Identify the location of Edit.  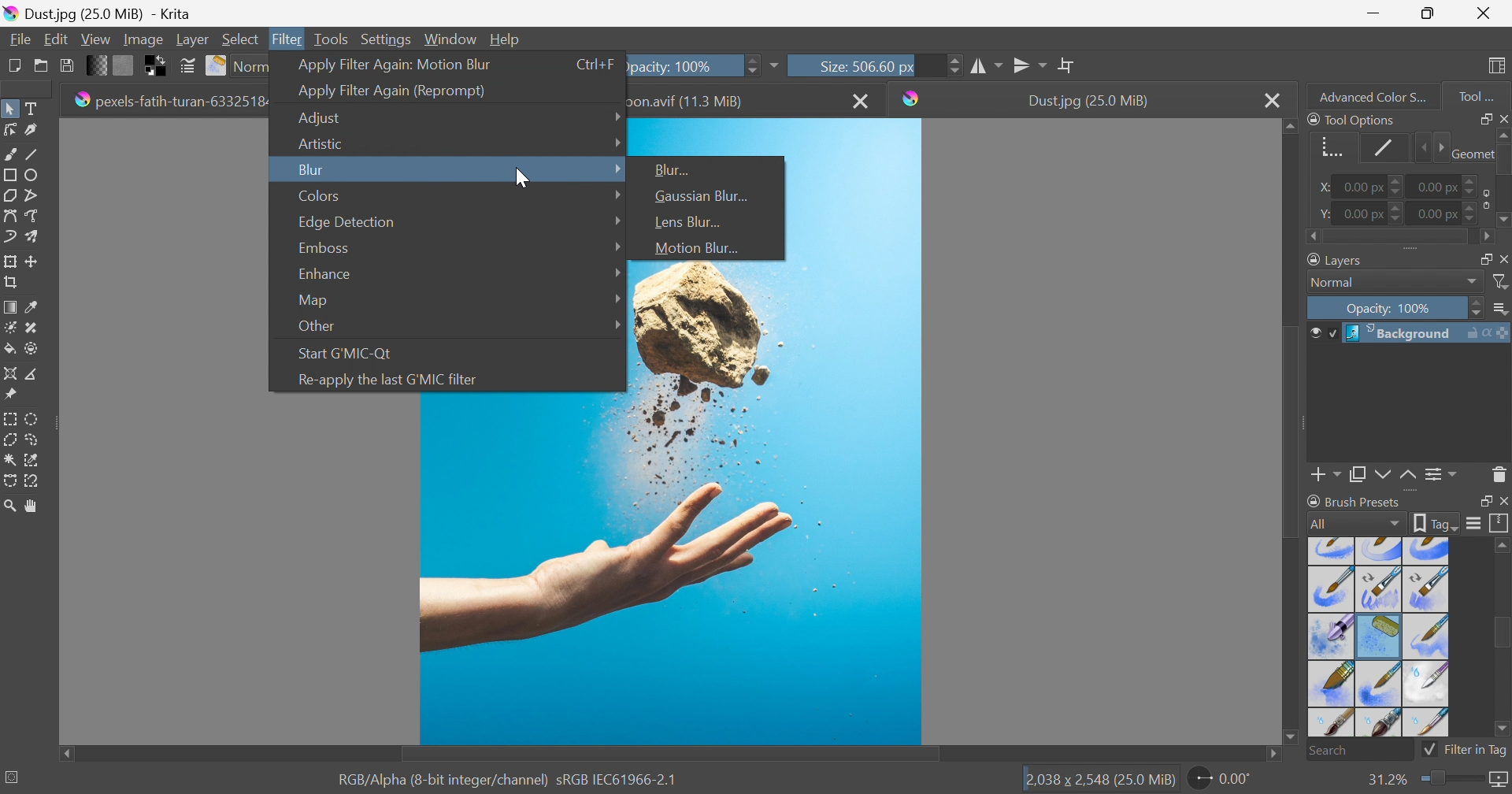
(55, 39).